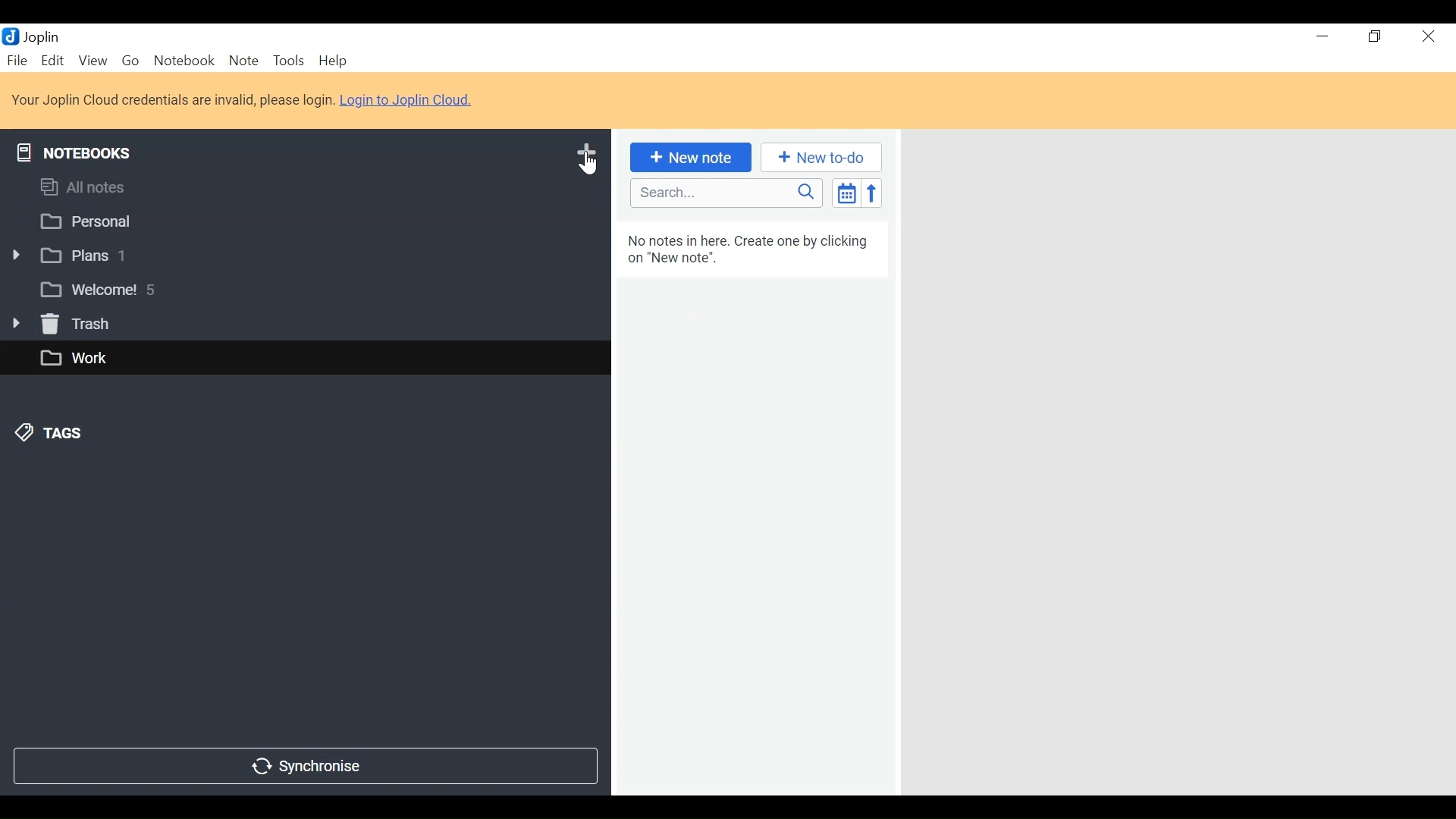 The height and width of the screenshot is (819, 1456). I want to click on welcome! 5 , so click(299, 288).